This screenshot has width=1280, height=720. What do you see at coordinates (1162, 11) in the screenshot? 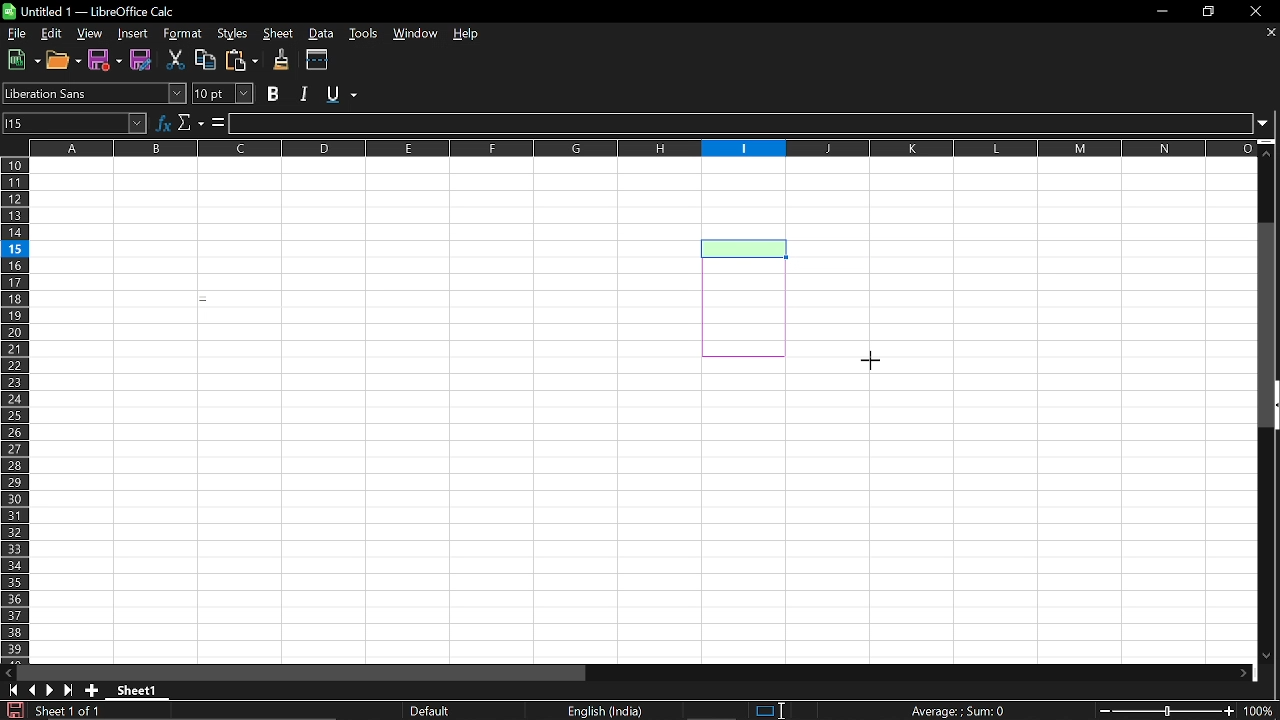
I see `Minimize` at bounding box center [1162, 11].